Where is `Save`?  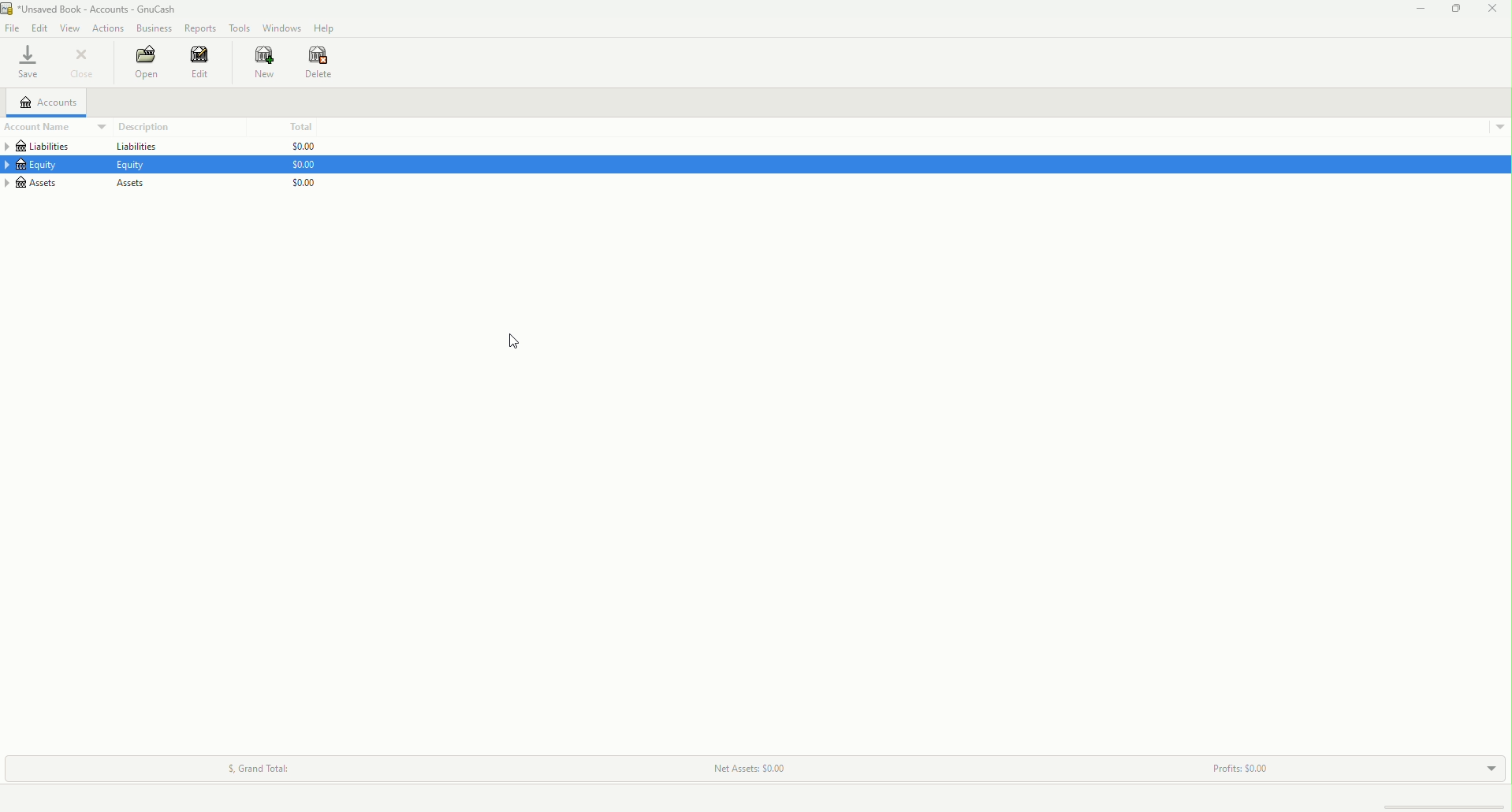
Save is located at coordinates (27, 63).